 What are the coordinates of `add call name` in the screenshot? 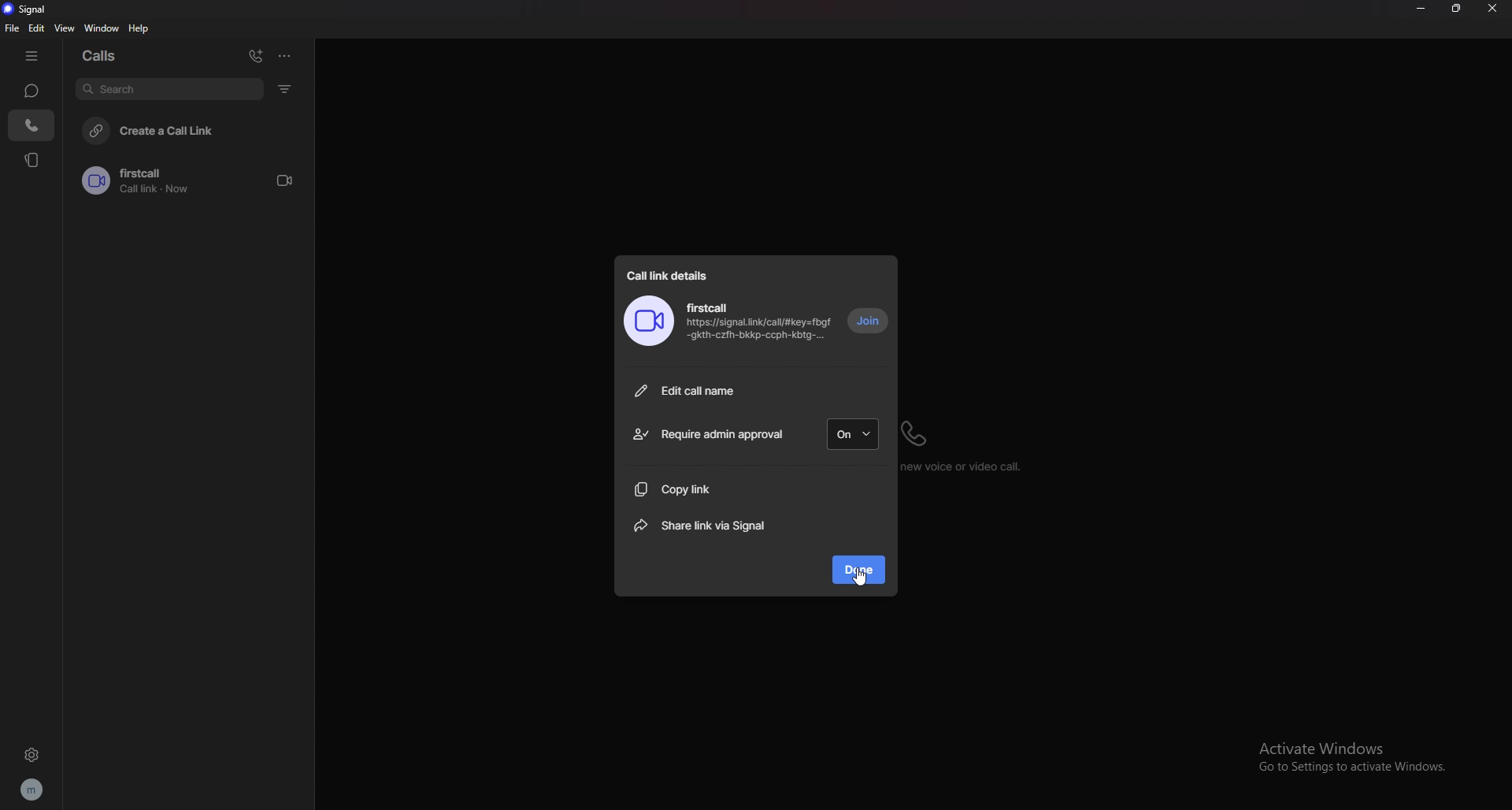 It's located at (756, 390).